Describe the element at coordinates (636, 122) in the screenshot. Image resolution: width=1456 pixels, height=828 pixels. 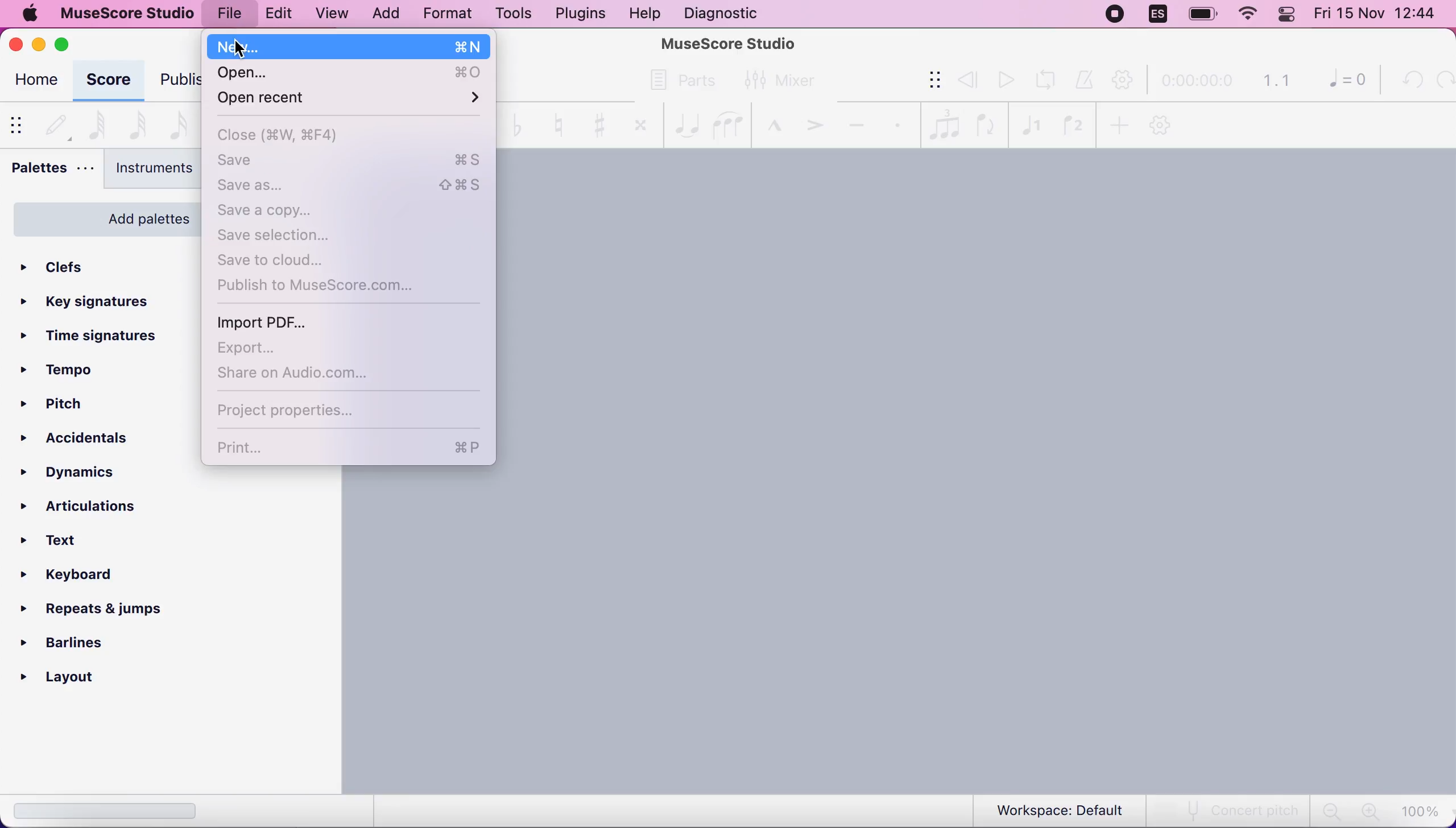
I see `toggle double sharp ` at that location.